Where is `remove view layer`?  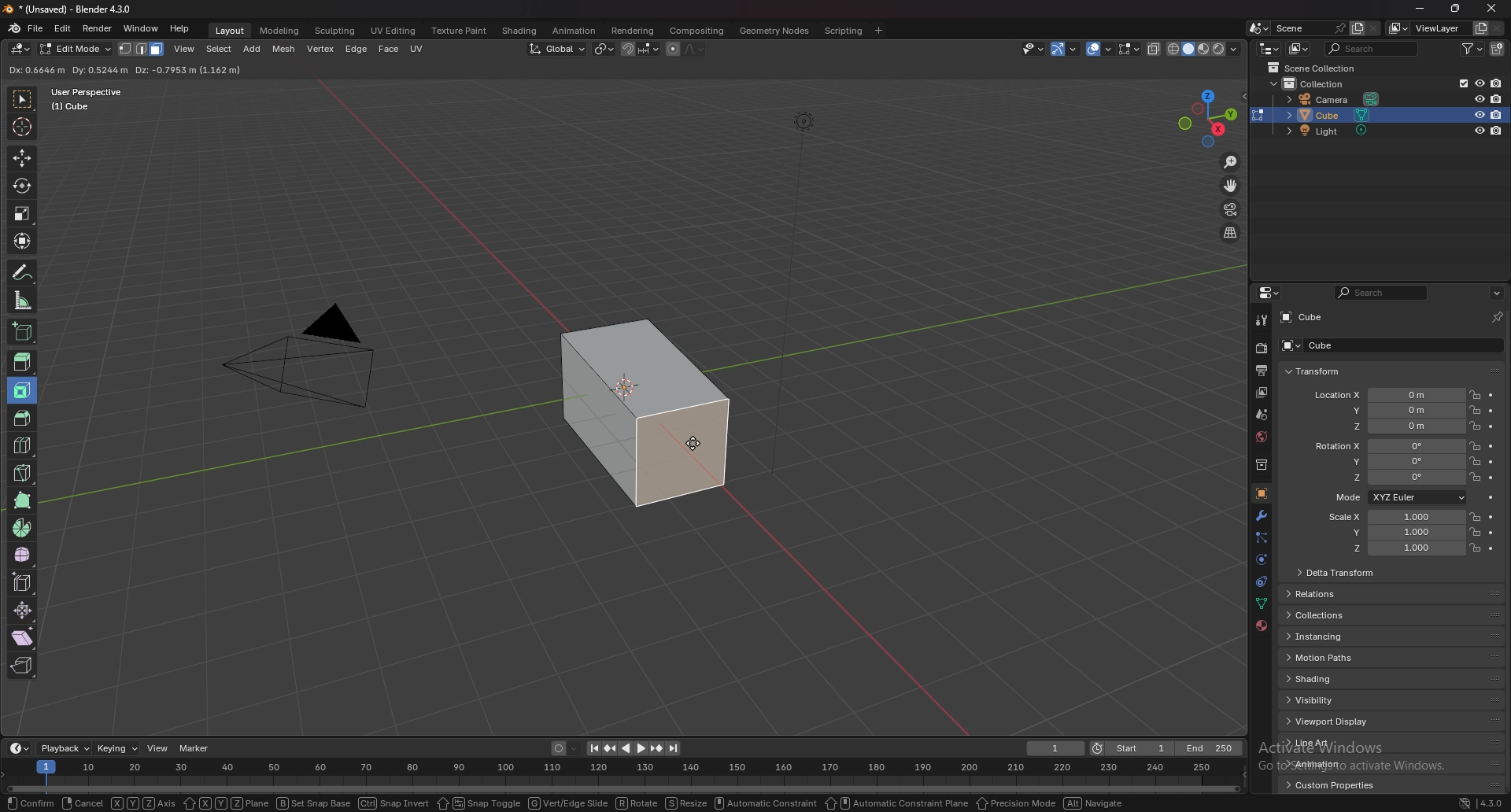
remove view layer is located at coordinates (1498, 29).